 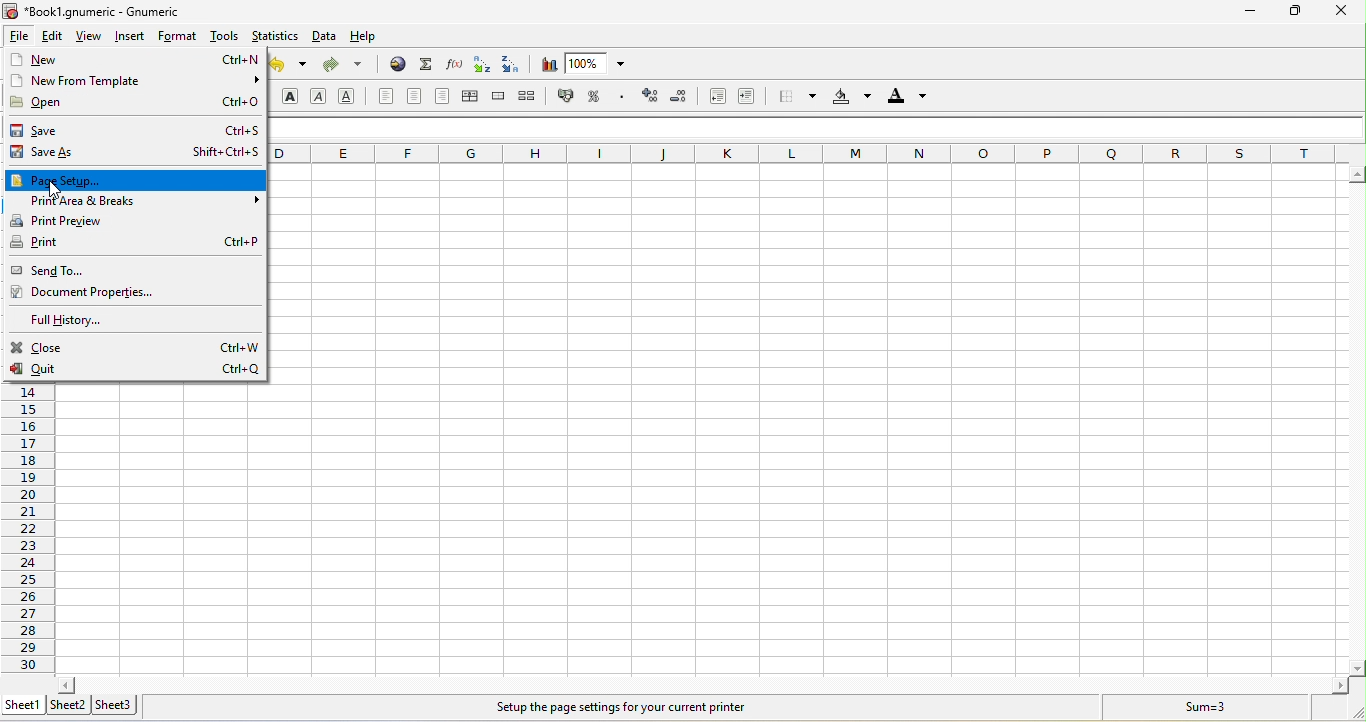 What do you see at coordinates (136, 348) in the screenshot?
I see `close` at bounding box center [136, 348].